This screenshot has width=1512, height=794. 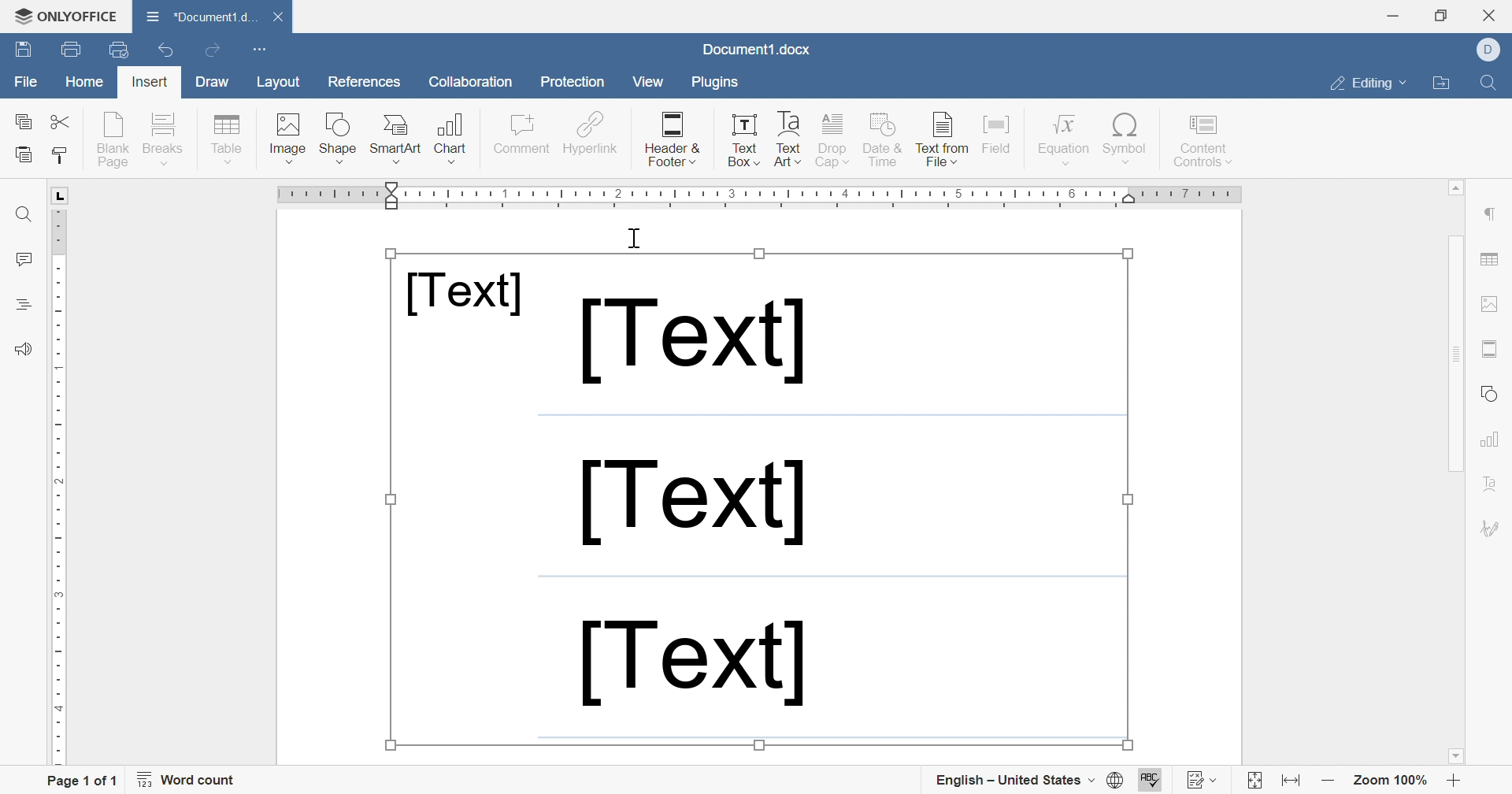 I want to click on English - United States, so click(x=1014, y=779).